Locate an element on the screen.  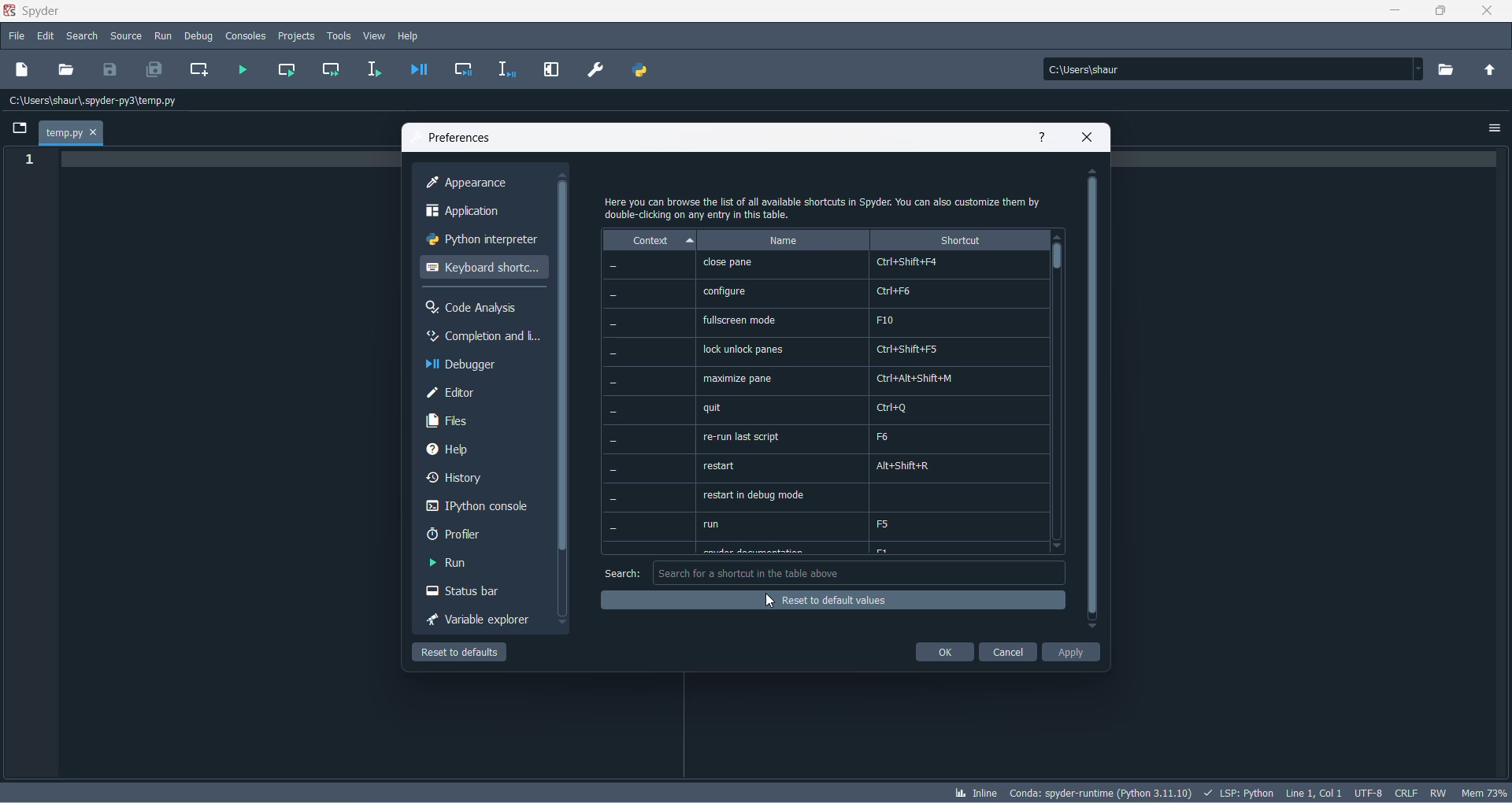
files is located at coordinates (476, 420).